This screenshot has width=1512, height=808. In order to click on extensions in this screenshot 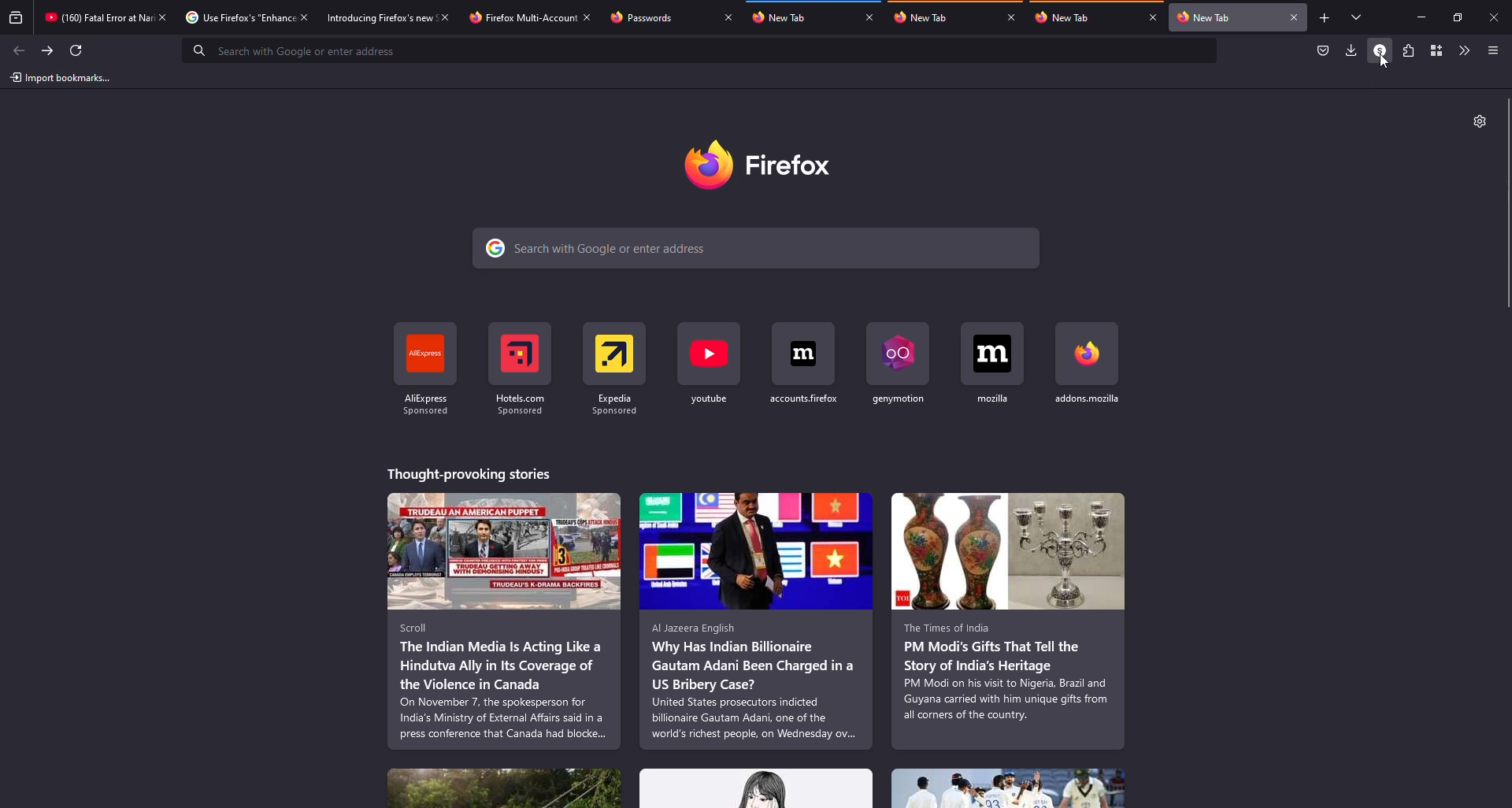, I will do `click(1407, 50)`.